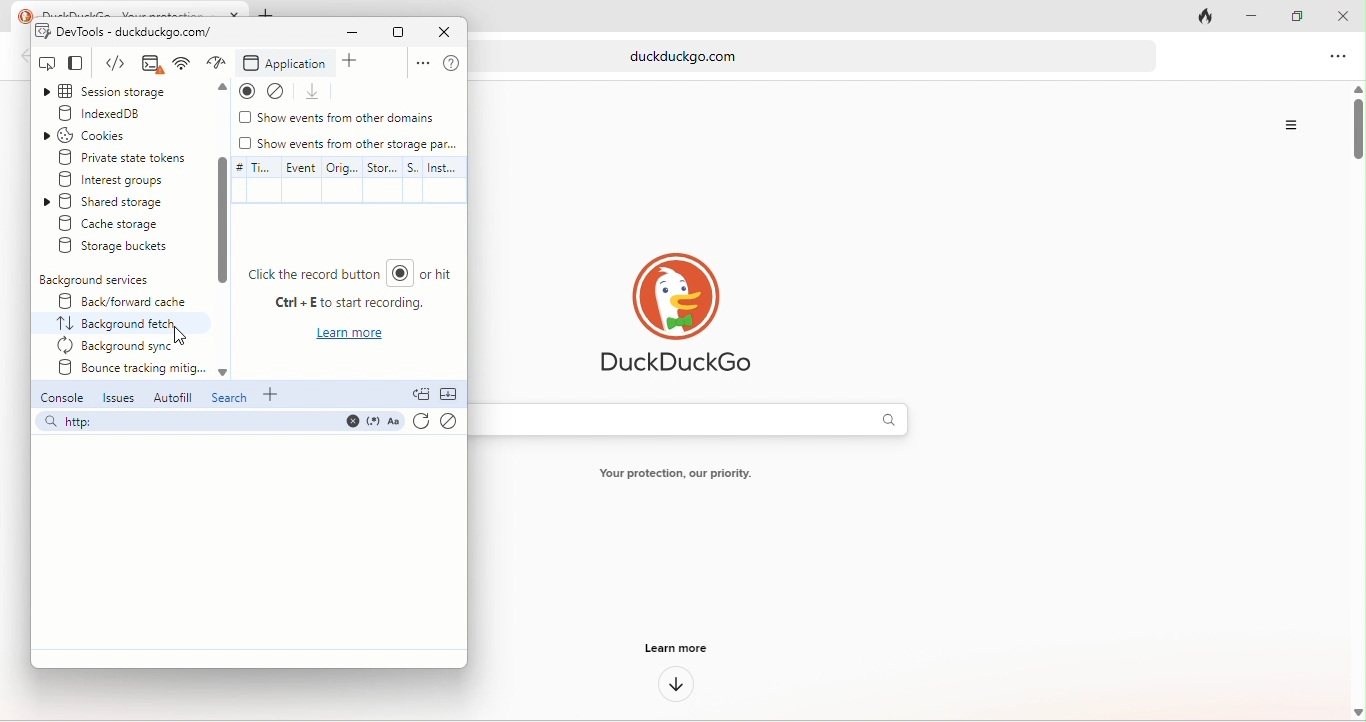  I want to click on option, so click(1340, 58).